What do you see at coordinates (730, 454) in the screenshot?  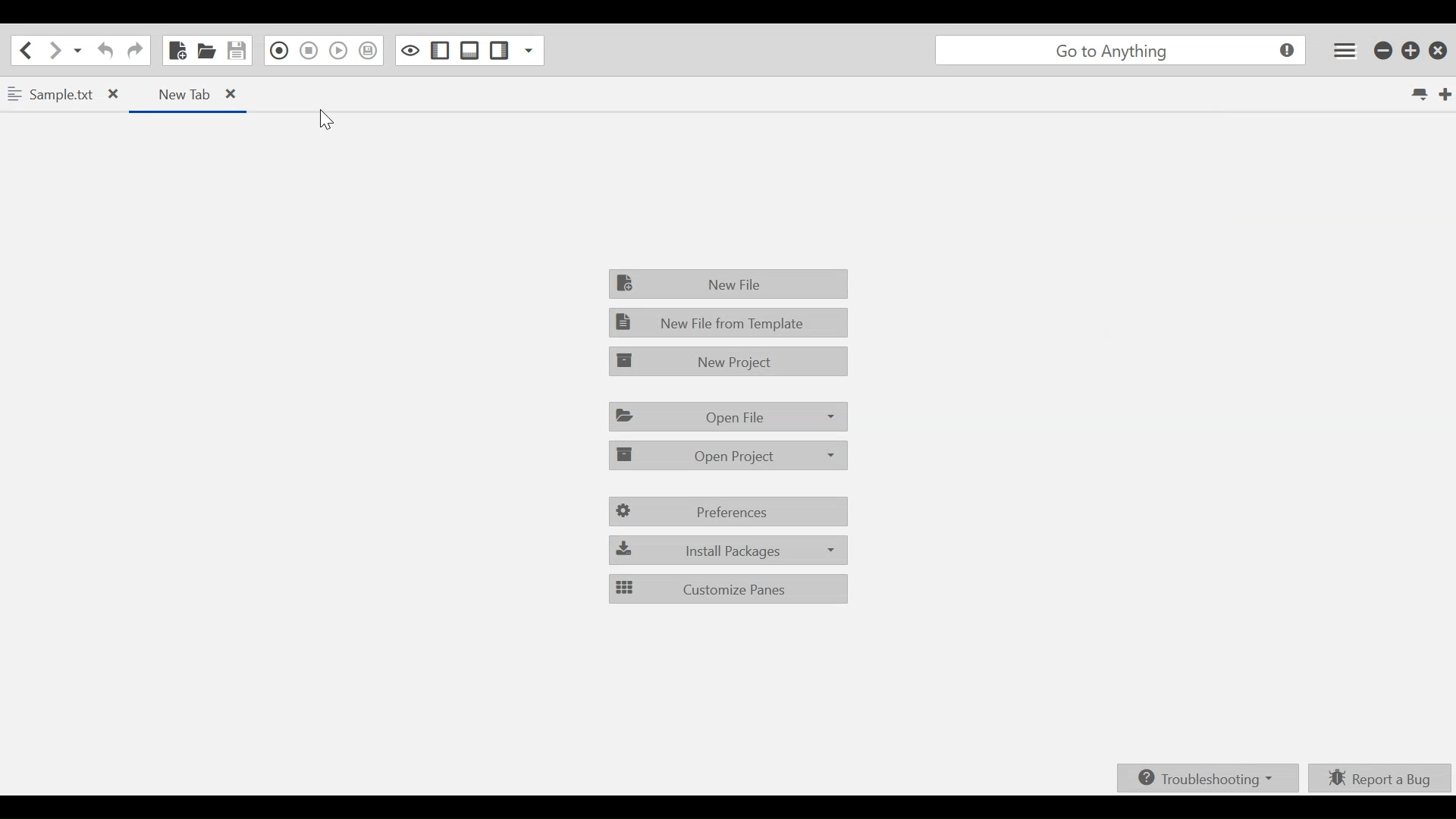 I see `Open Project` at bounding box center [730, 454].